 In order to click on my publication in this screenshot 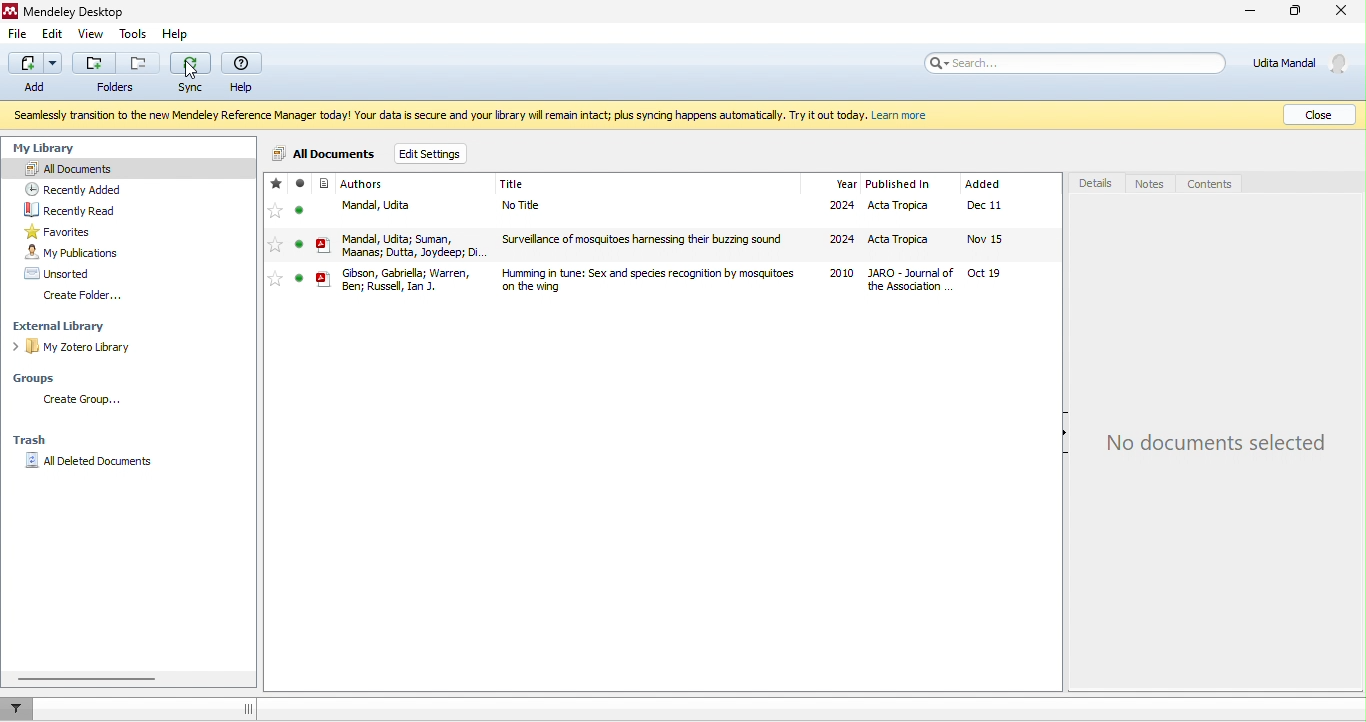, I will do `click(74, 251)`.